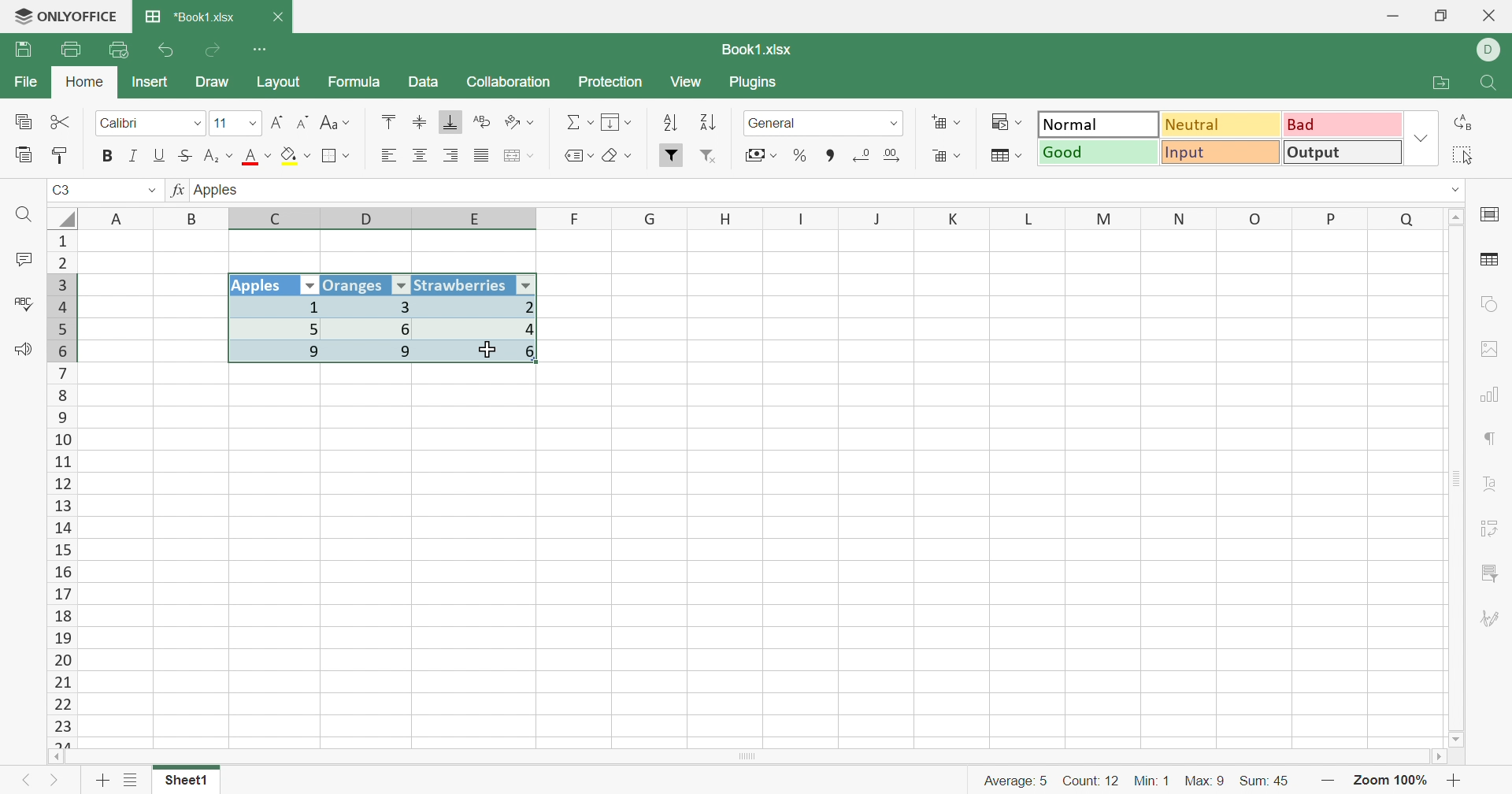  I want to click on Scroll Down, so click(1458, 738).